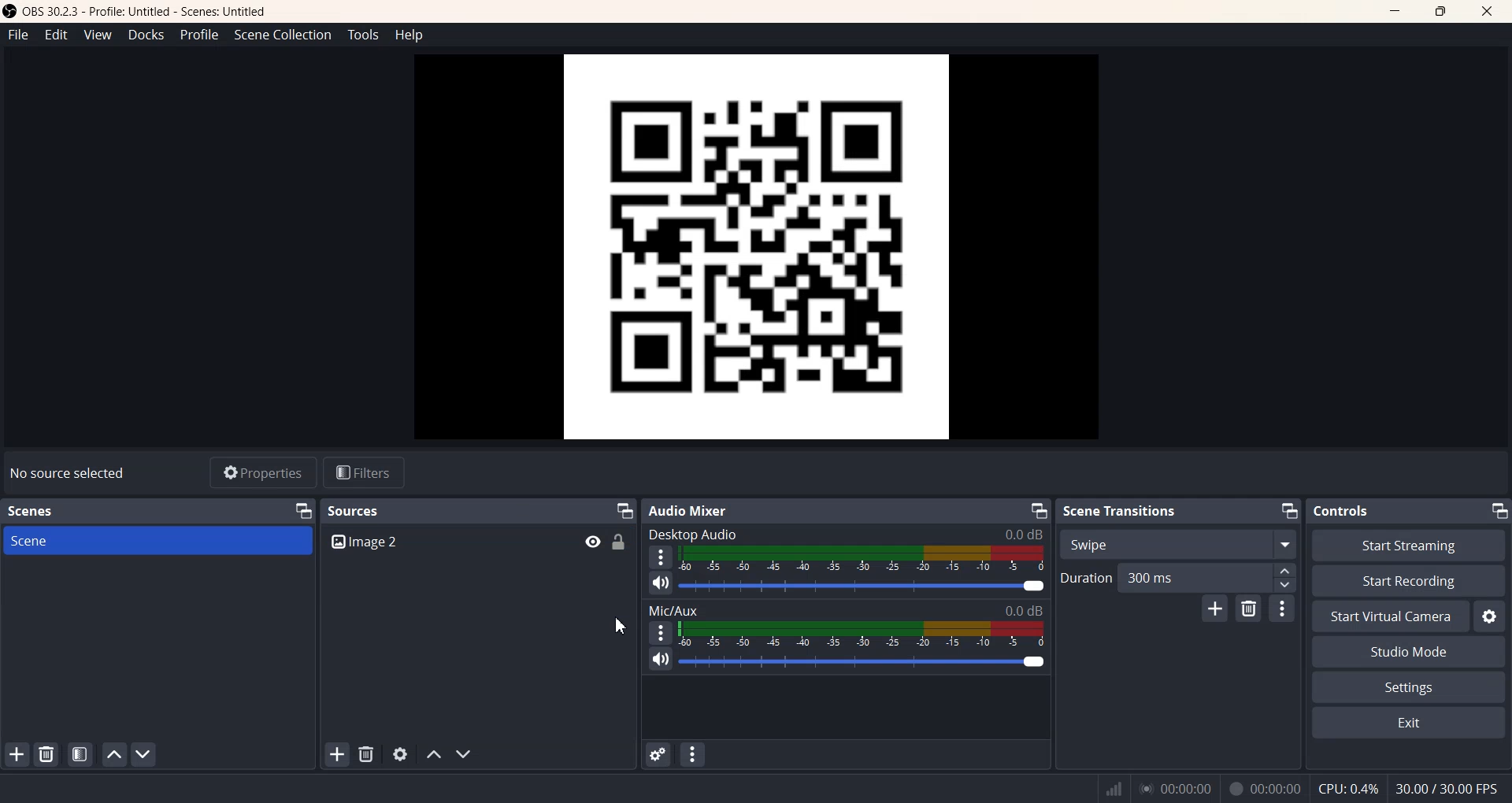 Image resolution: width=1512 pixels, height=803 pixels. Describe the element at coordinates (1121, 512) in the screenshot. I see `Scene Transitions` at that location.